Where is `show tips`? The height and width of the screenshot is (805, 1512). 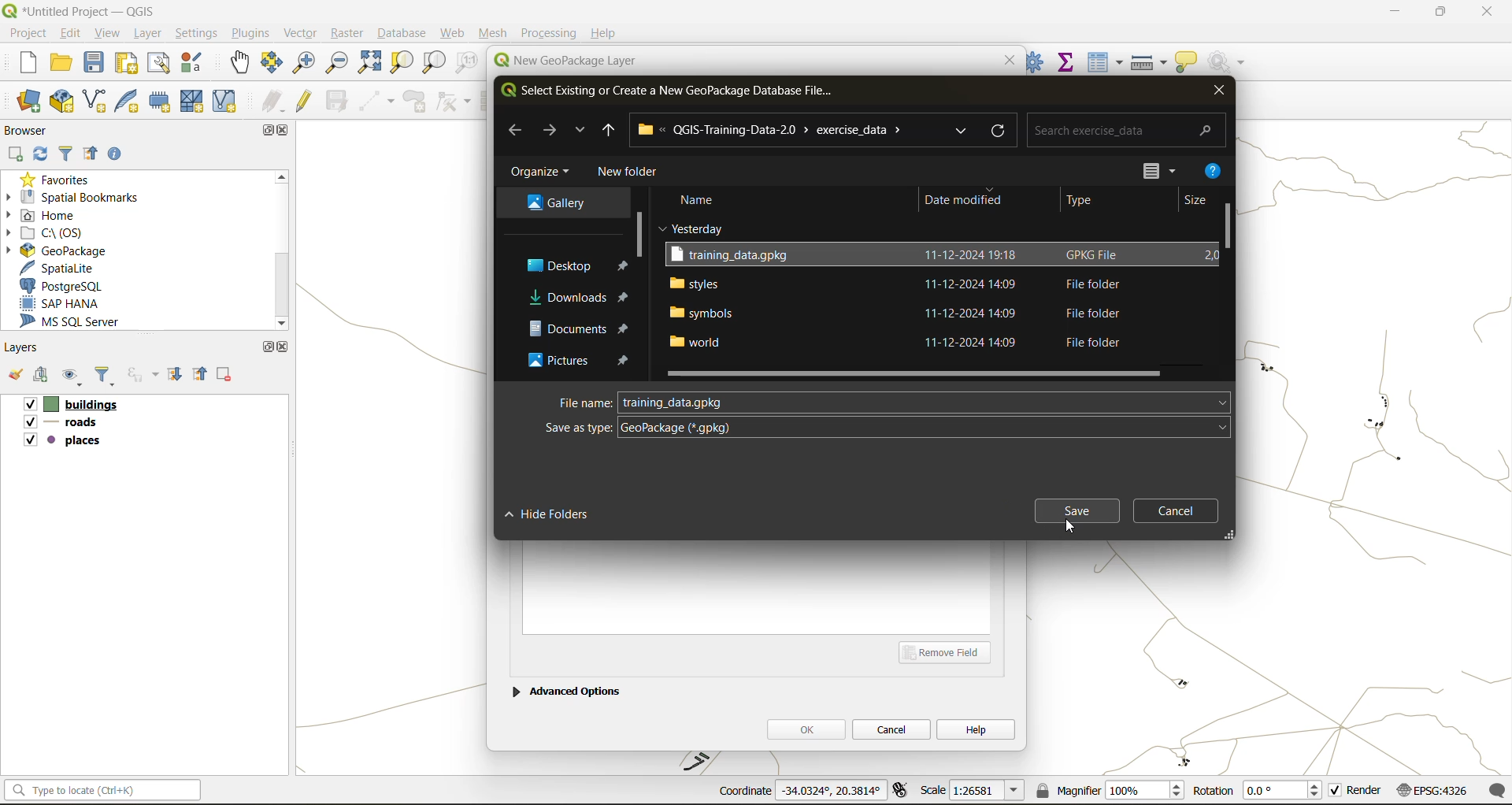
show tips is located at coordinates (1187, 63).